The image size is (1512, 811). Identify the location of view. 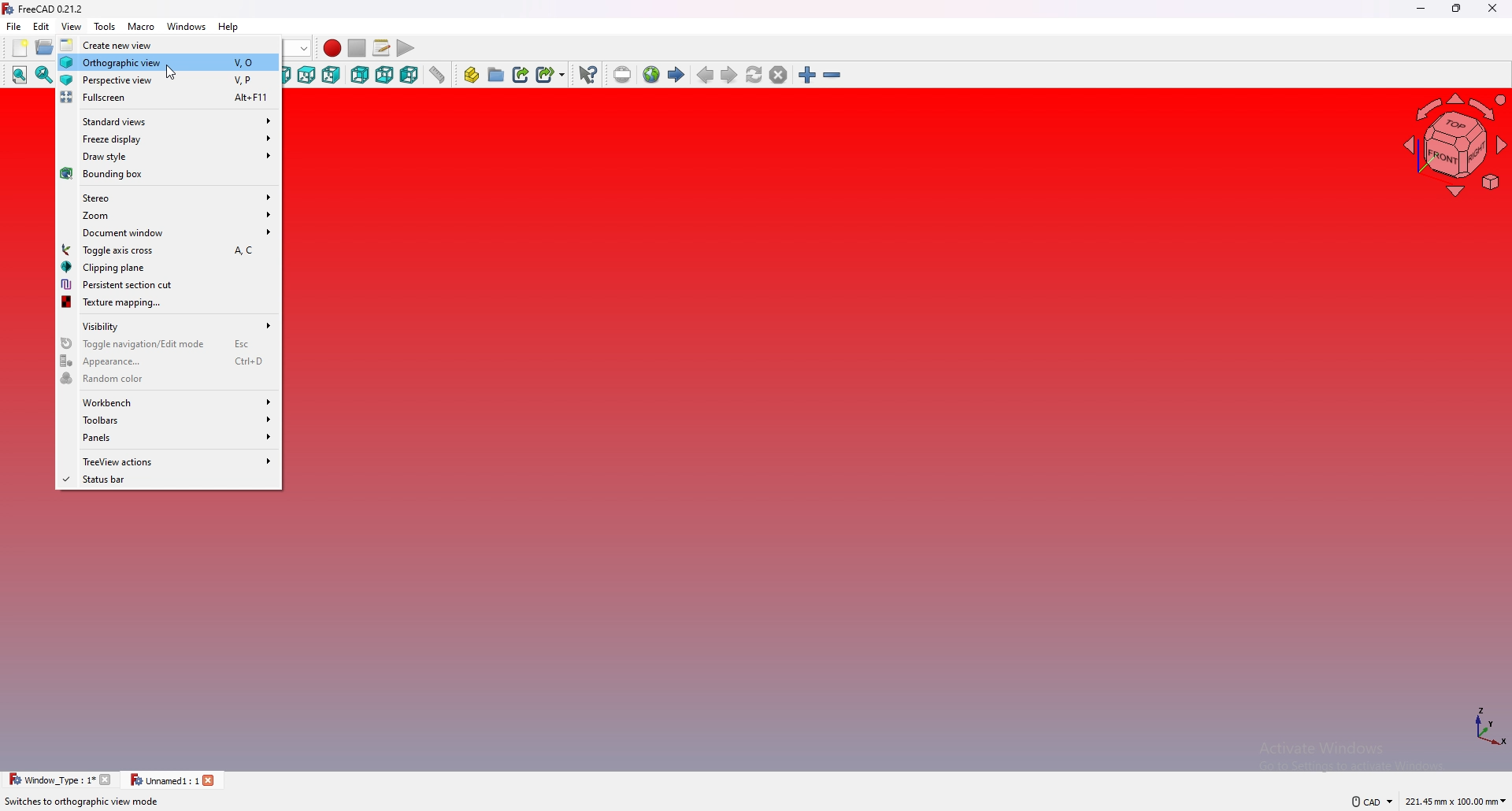
(72, 26).